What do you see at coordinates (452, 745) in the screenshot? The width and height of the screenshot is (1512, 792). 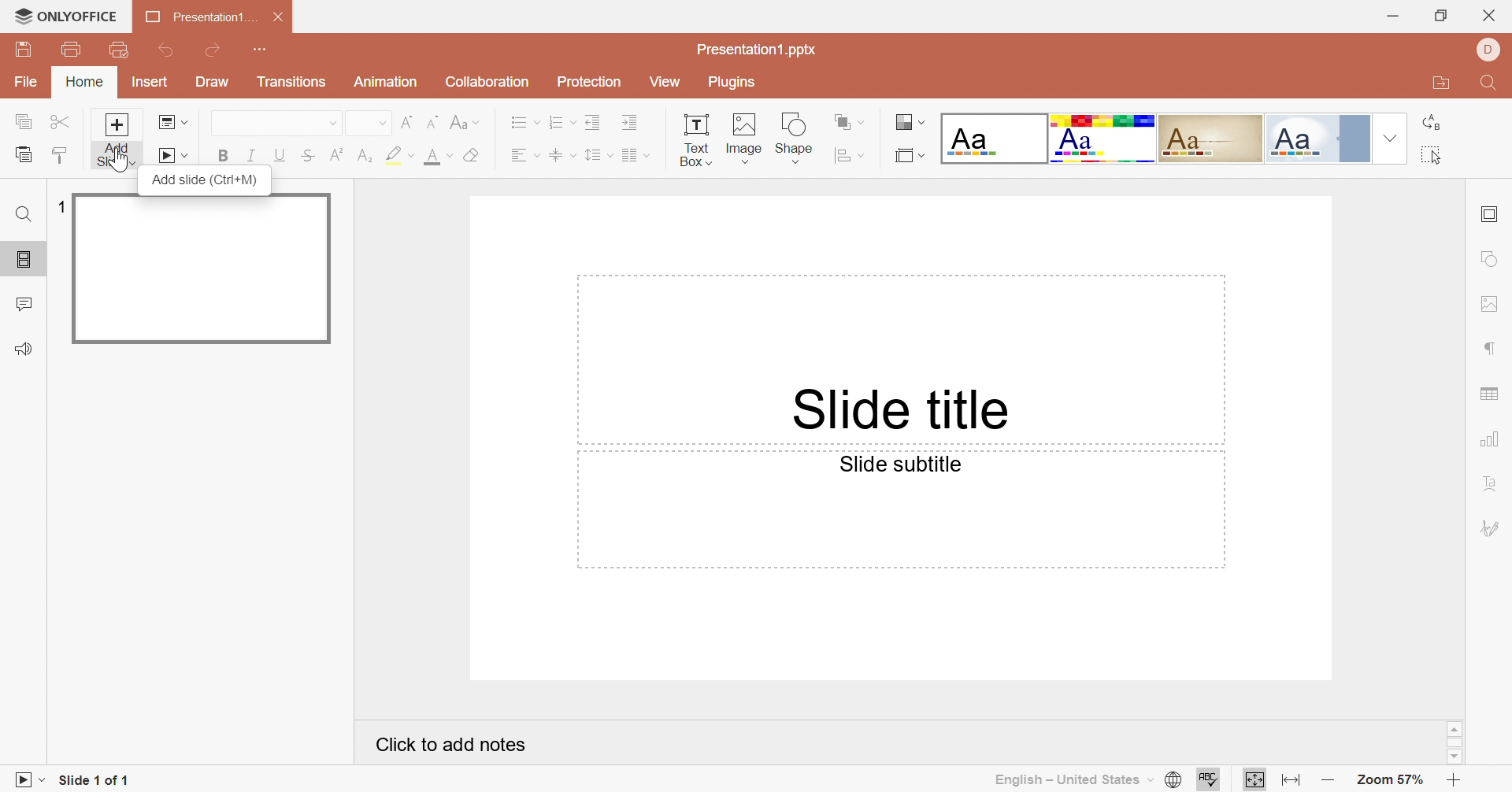 I see `Click to add notes` at bounding box center [452, 745].